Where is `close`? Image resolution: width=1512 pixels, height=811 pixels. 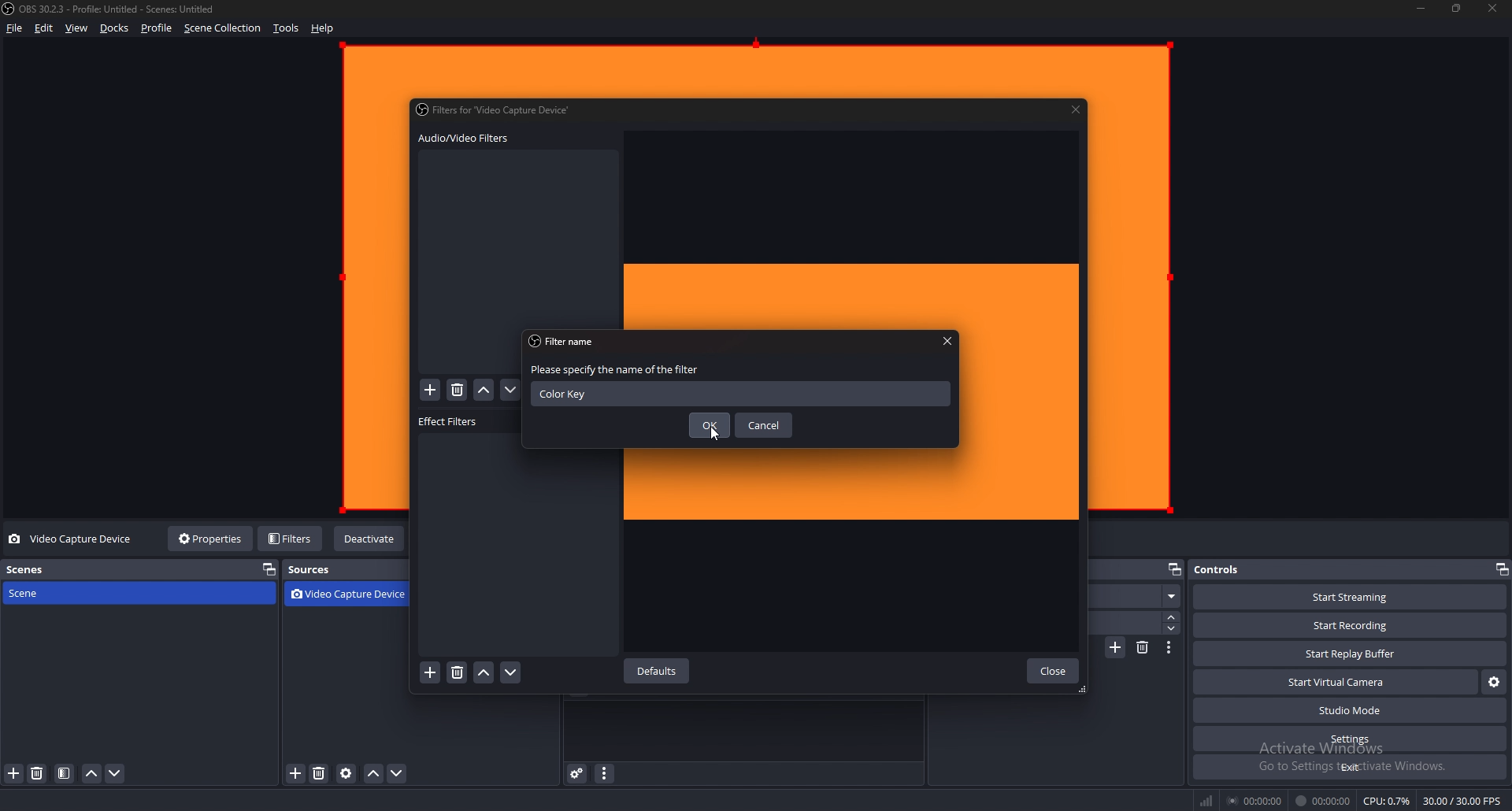
close is located at coordinates (1077, 109).